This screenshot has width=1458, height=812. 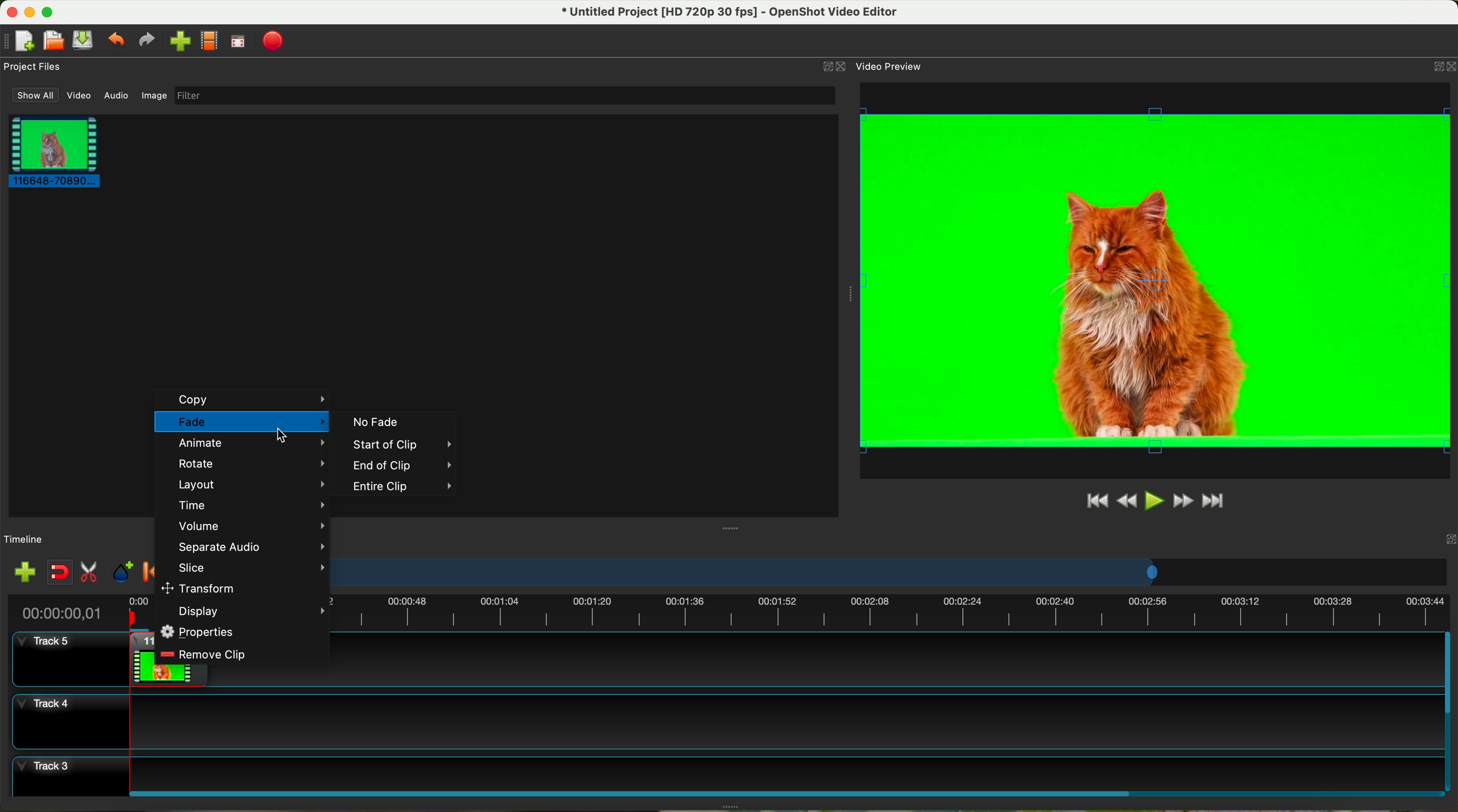 I want to click on previous marker, so click(x=148, y=572).